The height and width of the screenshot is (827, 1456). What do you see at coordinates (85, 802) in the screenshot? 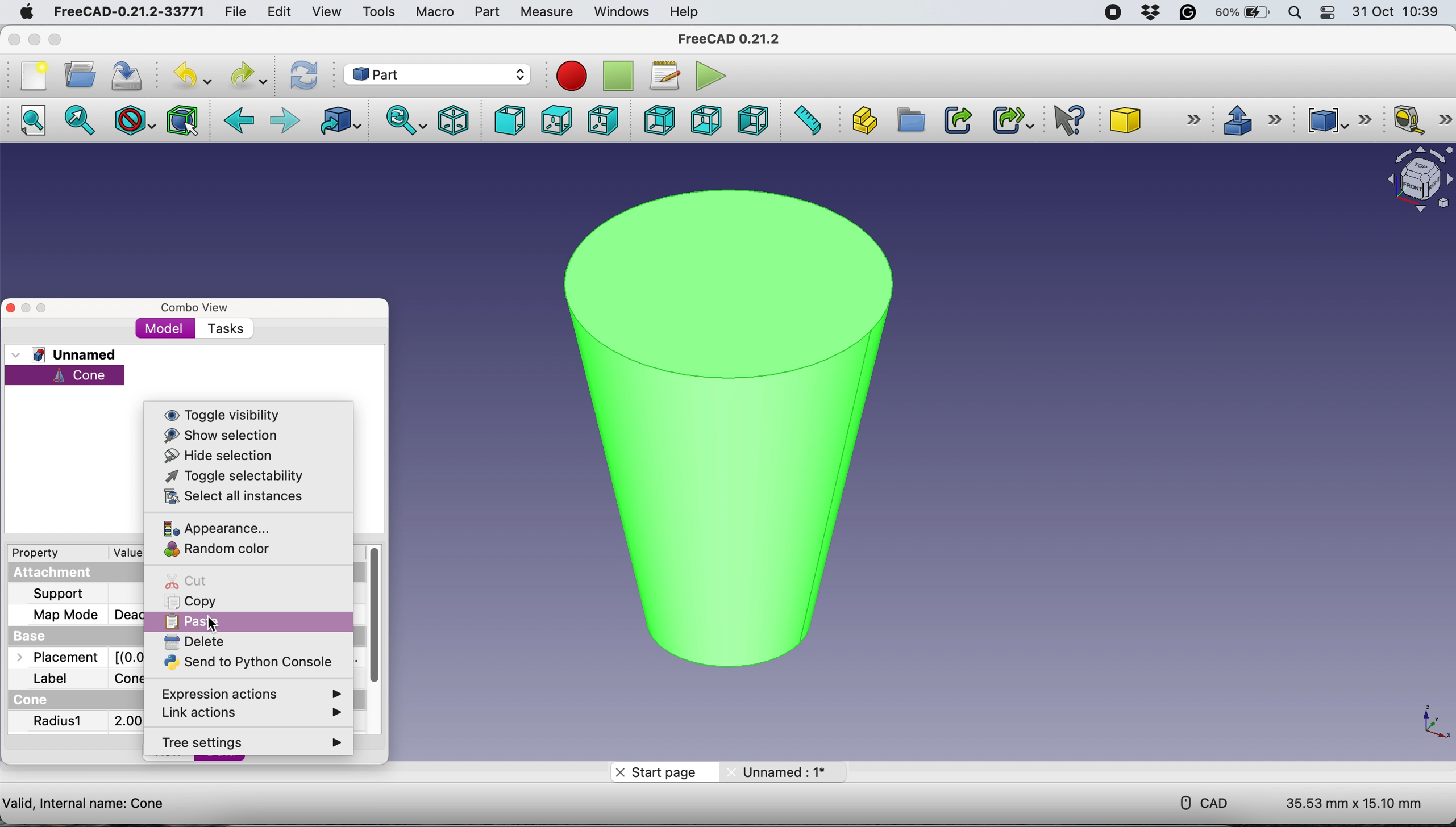
I see `valid, internal name: cone` at bounding box center [85, 802].